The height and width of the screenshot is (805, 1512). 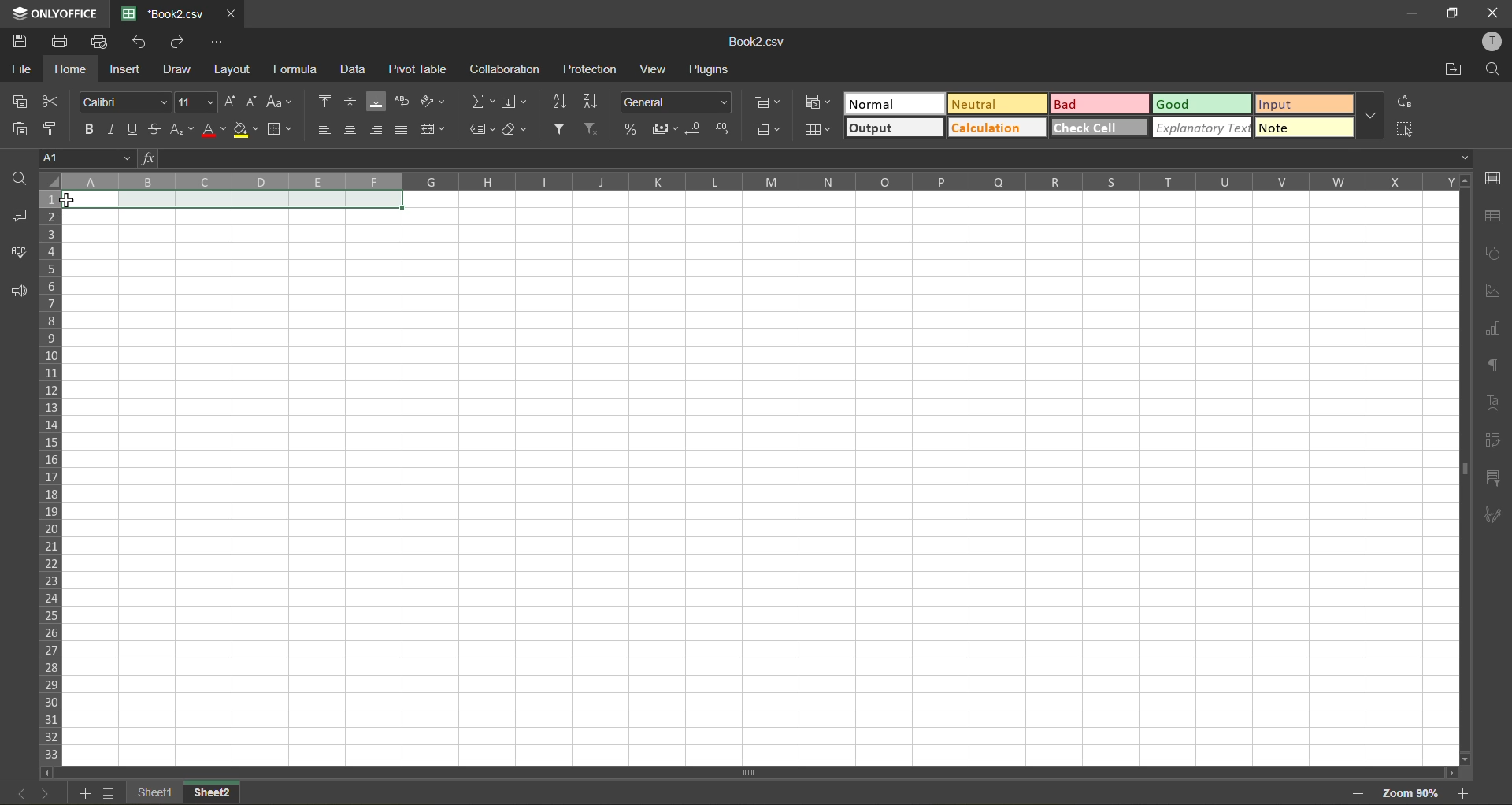 I want to click on decrease decimal, so click(x=695, y=131).